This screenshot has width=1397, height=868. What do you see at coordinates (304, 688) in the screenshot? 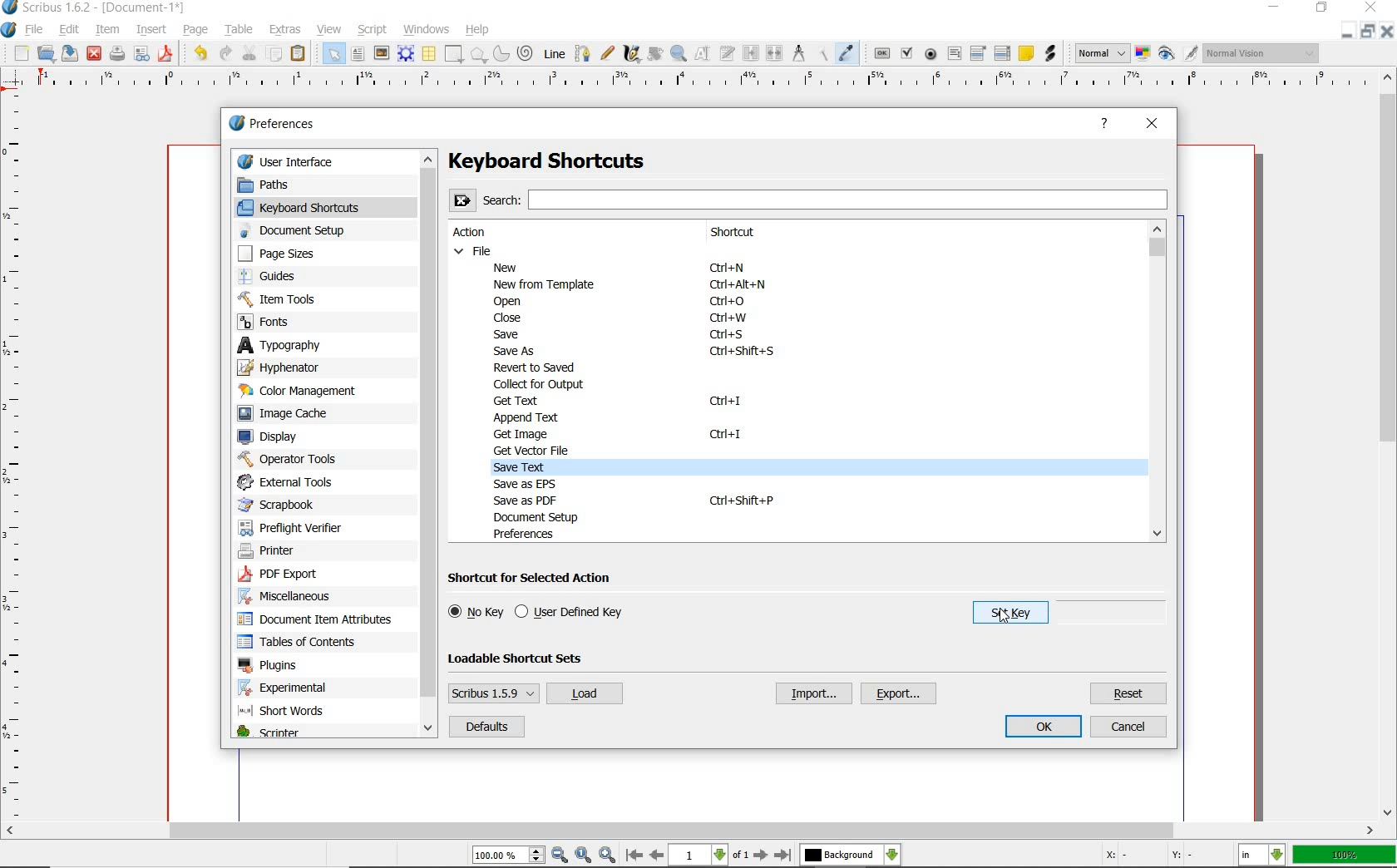
I see `experimental` at bounding box center [304, 688].